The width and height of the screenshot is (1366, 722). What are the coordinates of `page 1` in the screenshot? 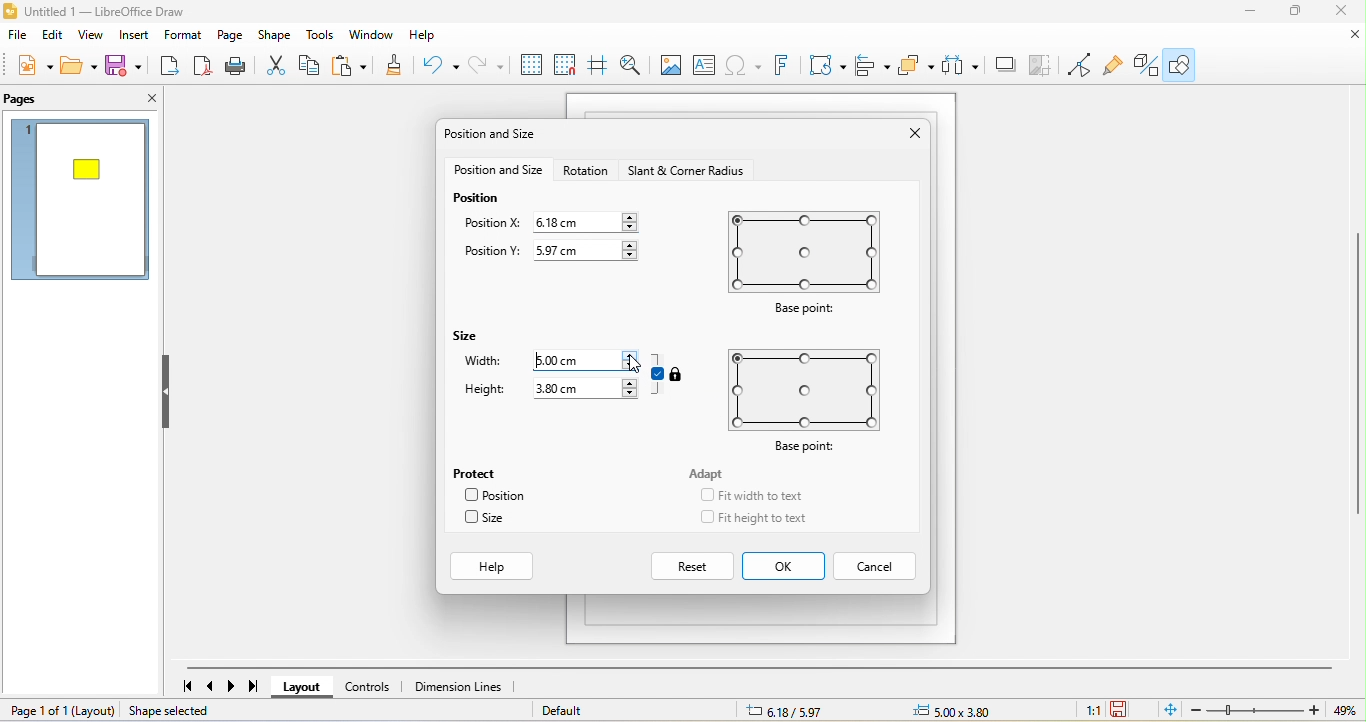 It's located at (82, 204).